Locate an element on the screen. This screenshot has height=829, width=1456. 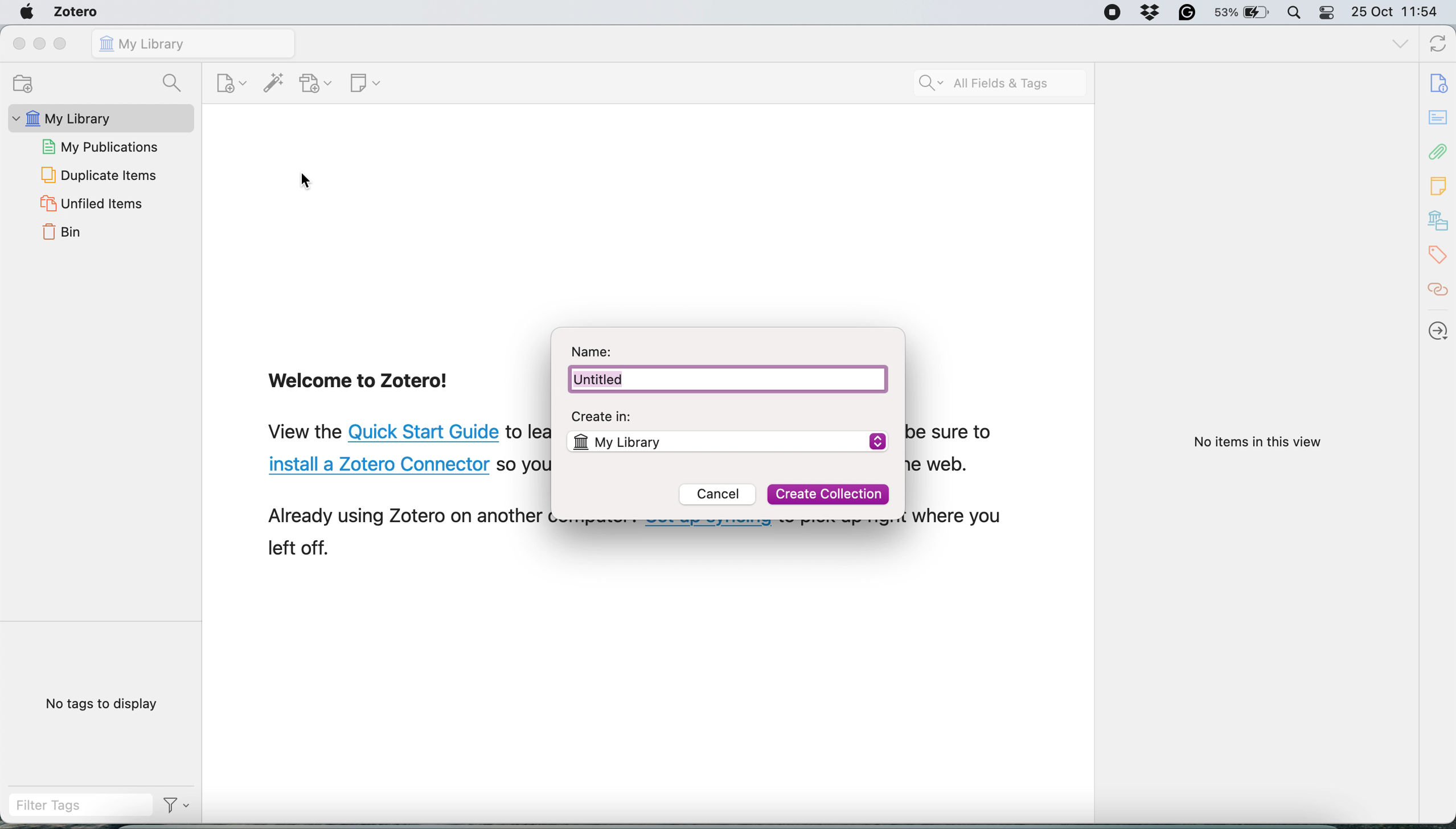
search is located at coordinates (175, 82).